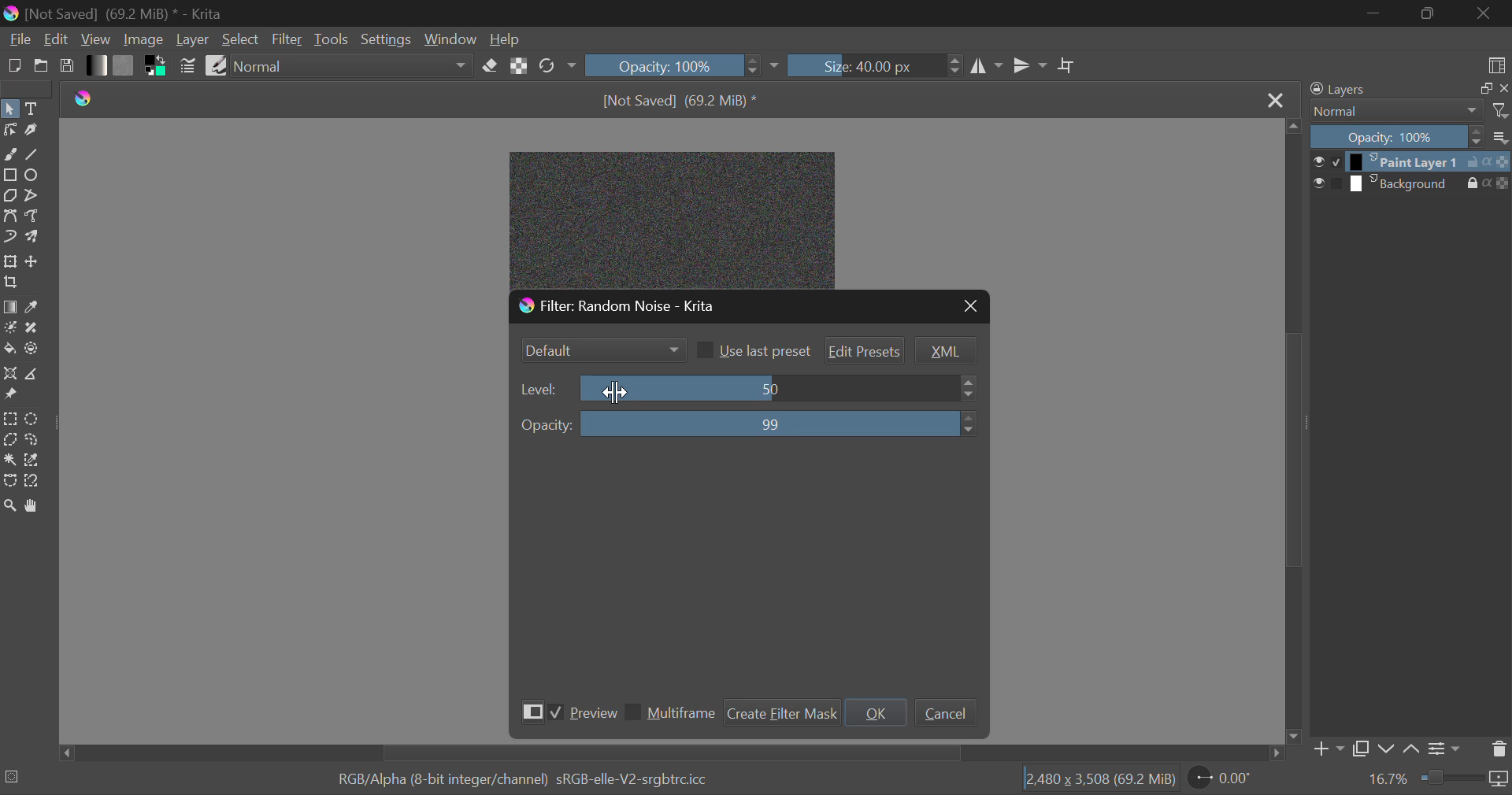 Image resolution: width=1512 pixels, height=795 pixels. I want to click on alpha, so click(1488, 161).